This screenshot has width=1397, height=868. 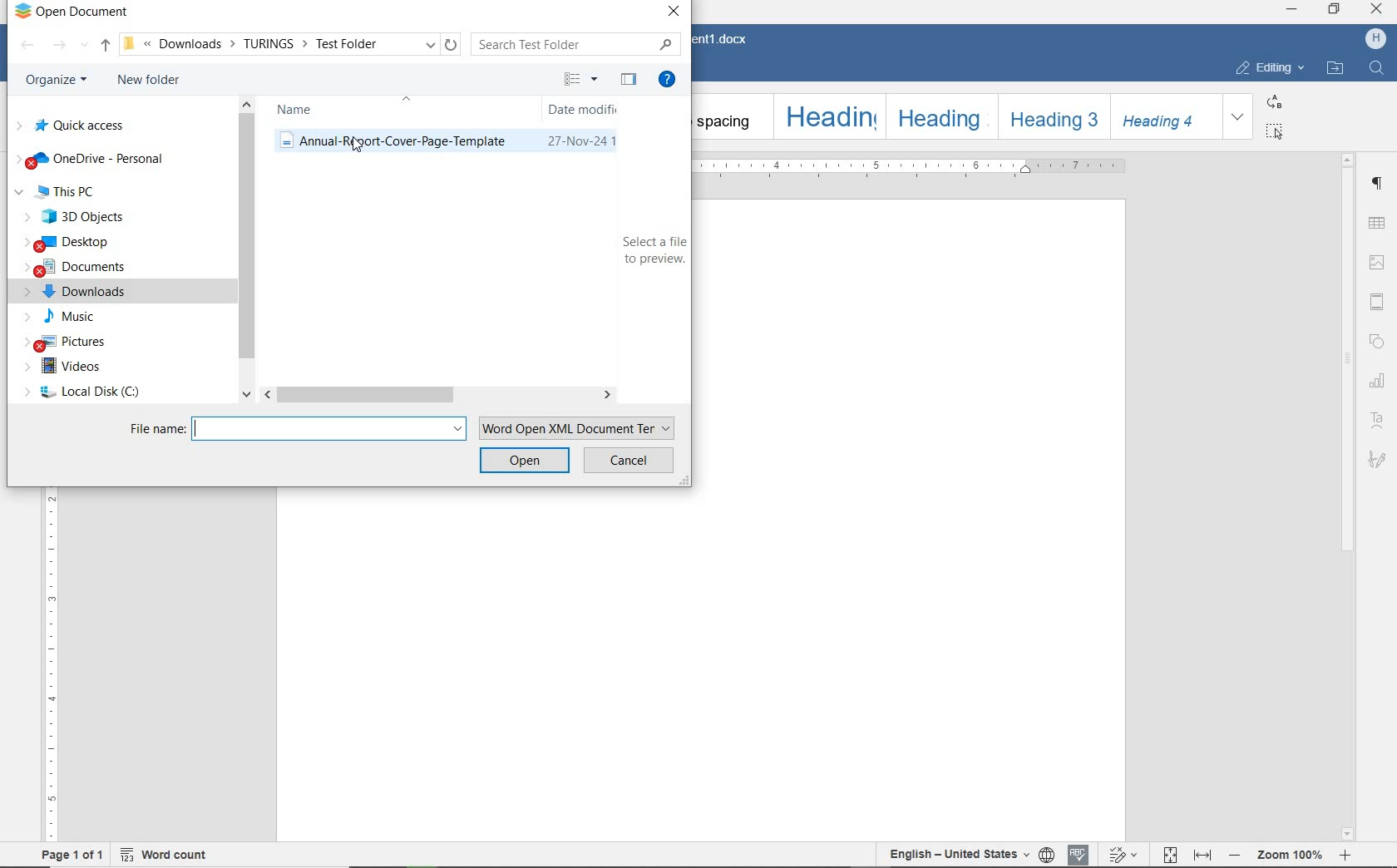 I want to click on paragraph settings, so click(x=1379, y=184).